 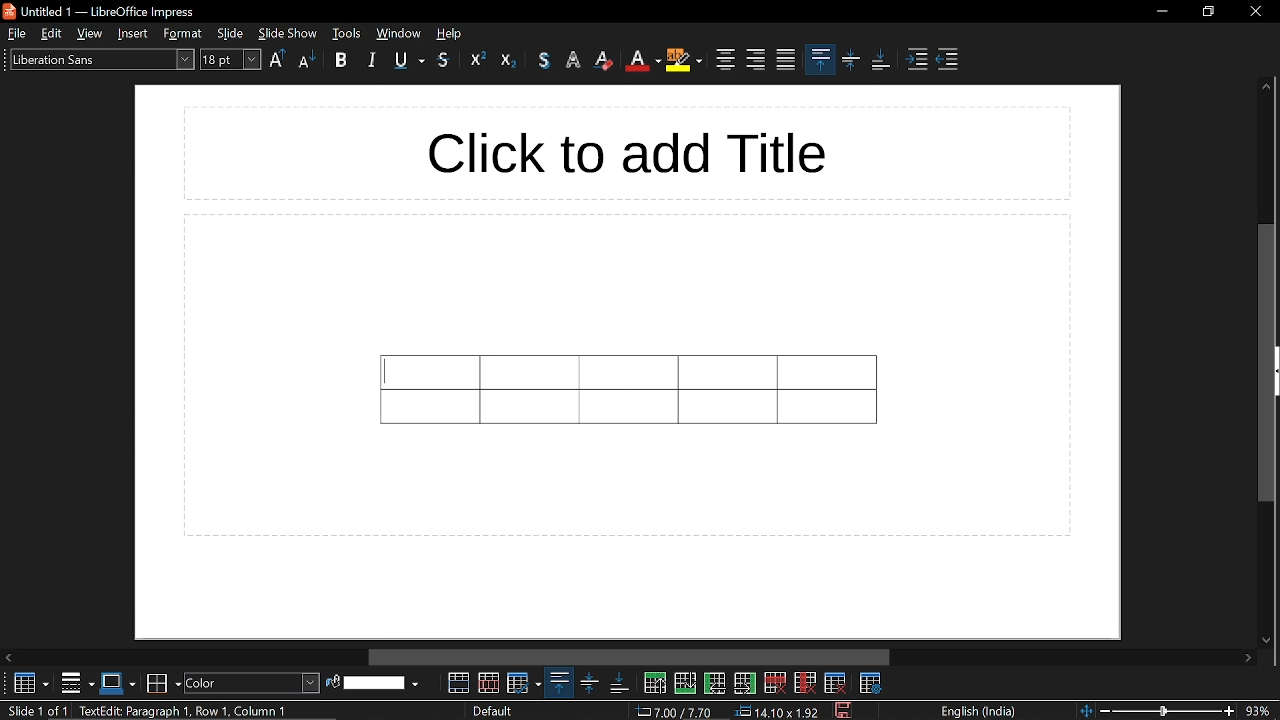 What do you see at coordinates (252, 683) in the screenshot?
I see `fill style` at bounding box center [252, 683].